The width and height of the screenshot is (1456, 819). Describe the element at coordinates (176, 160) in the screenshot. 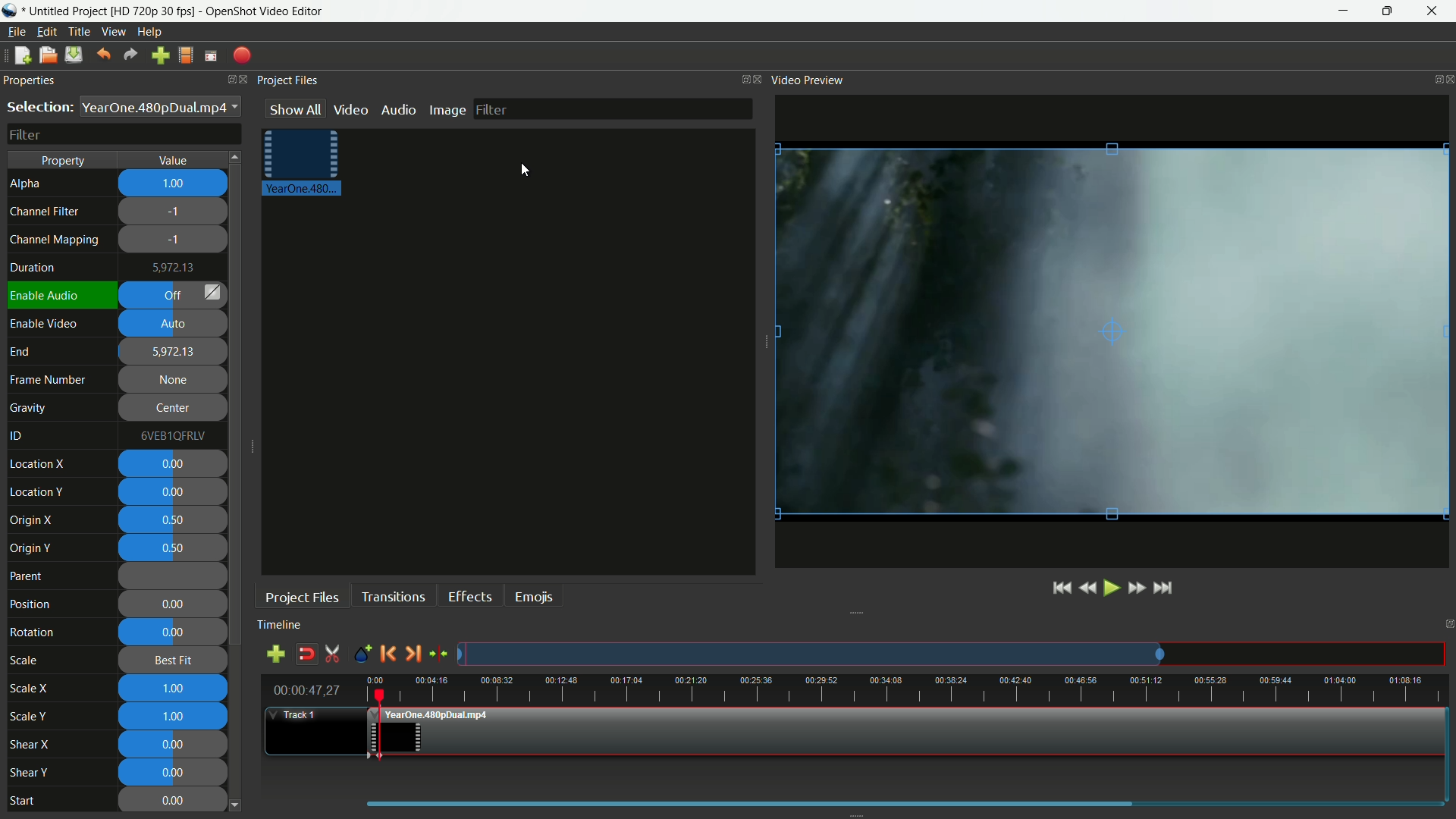

I see `value` at that location.